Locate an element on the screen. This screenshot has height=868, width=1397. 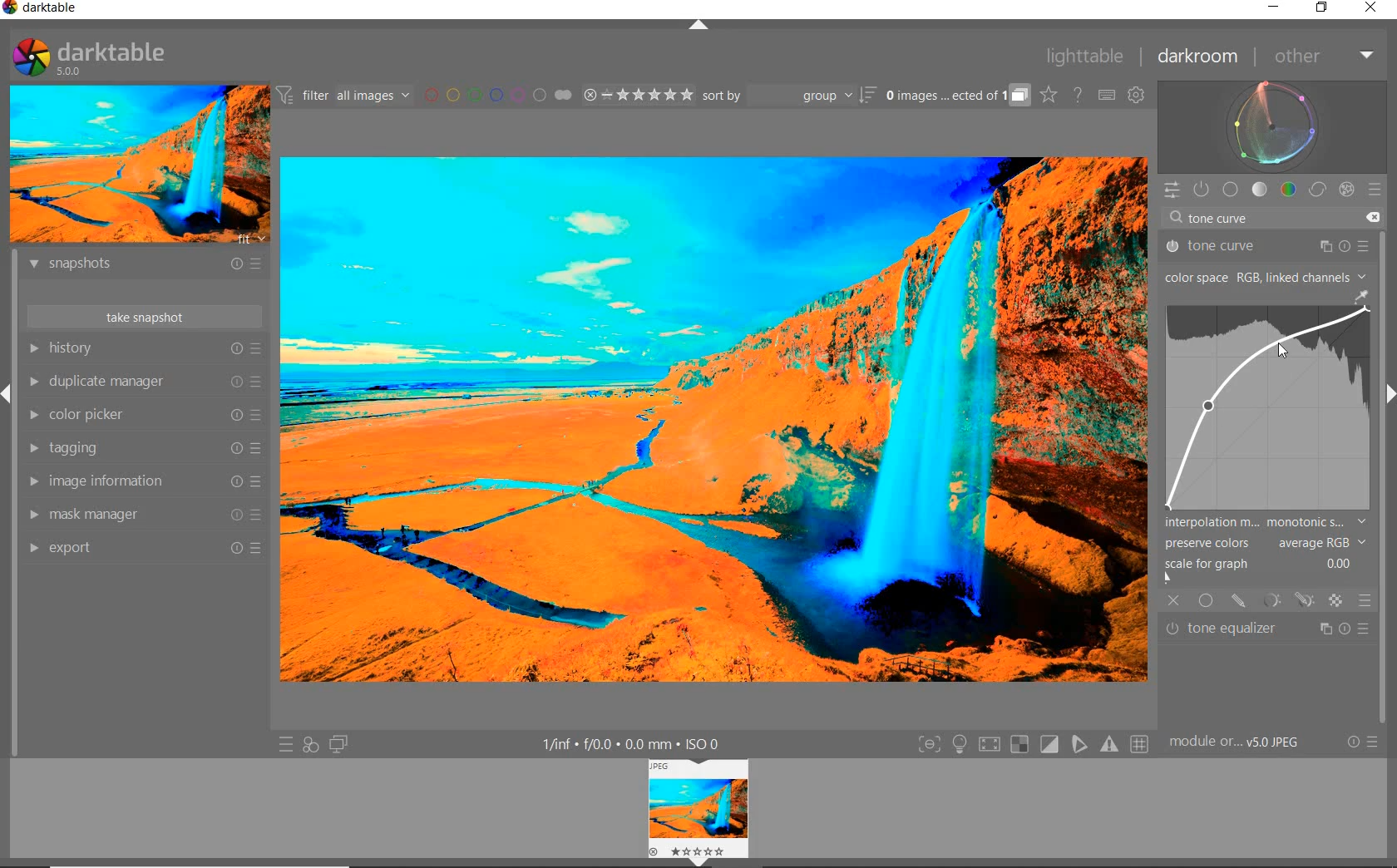
tone curve is located at coordinates (1265, 246).